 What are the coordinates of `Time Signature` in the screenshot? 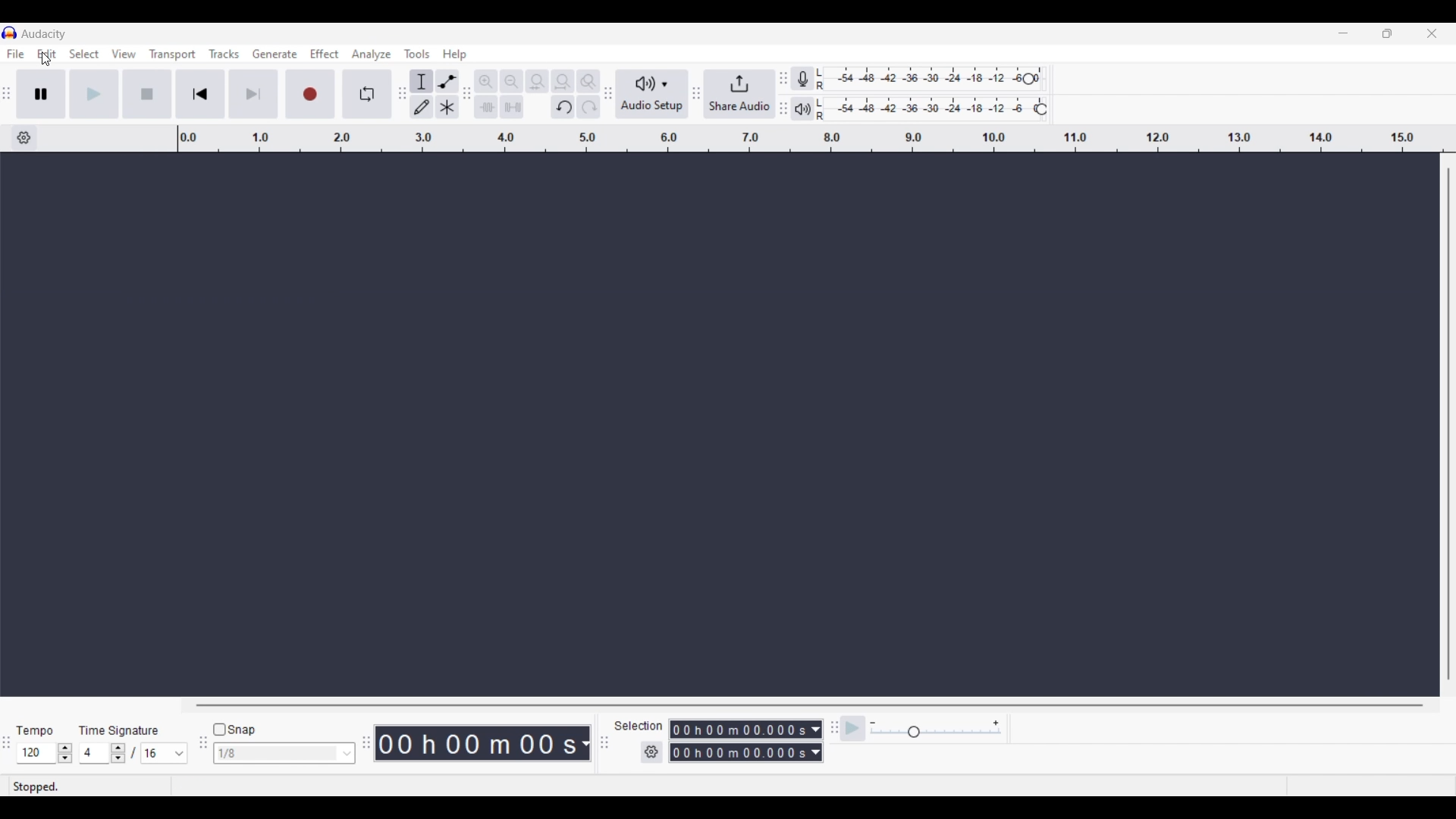 It's located at (121, 730).